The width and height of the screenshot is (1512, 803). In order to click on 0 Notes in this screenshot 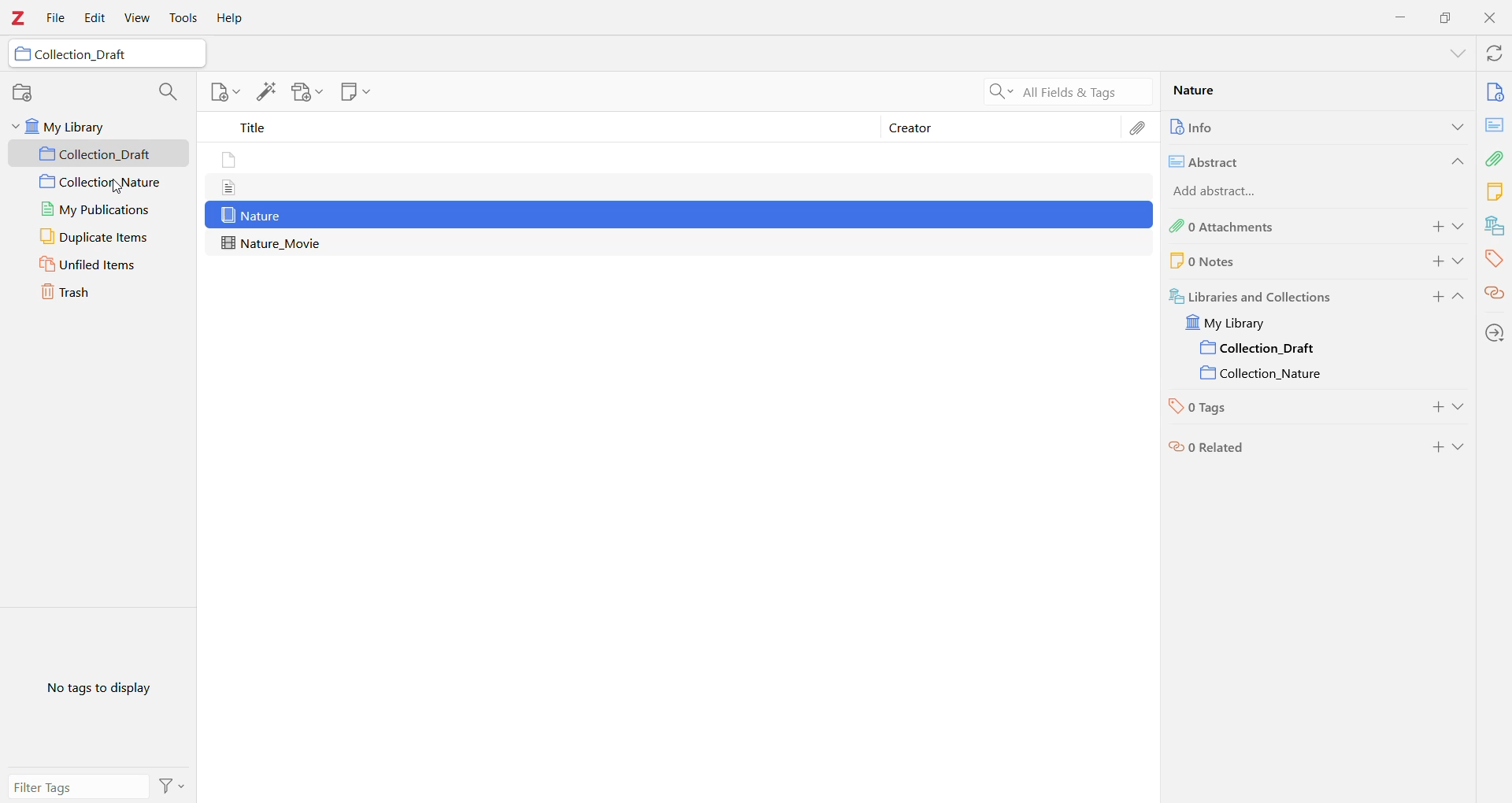, I will do `click(1257, 261)`.